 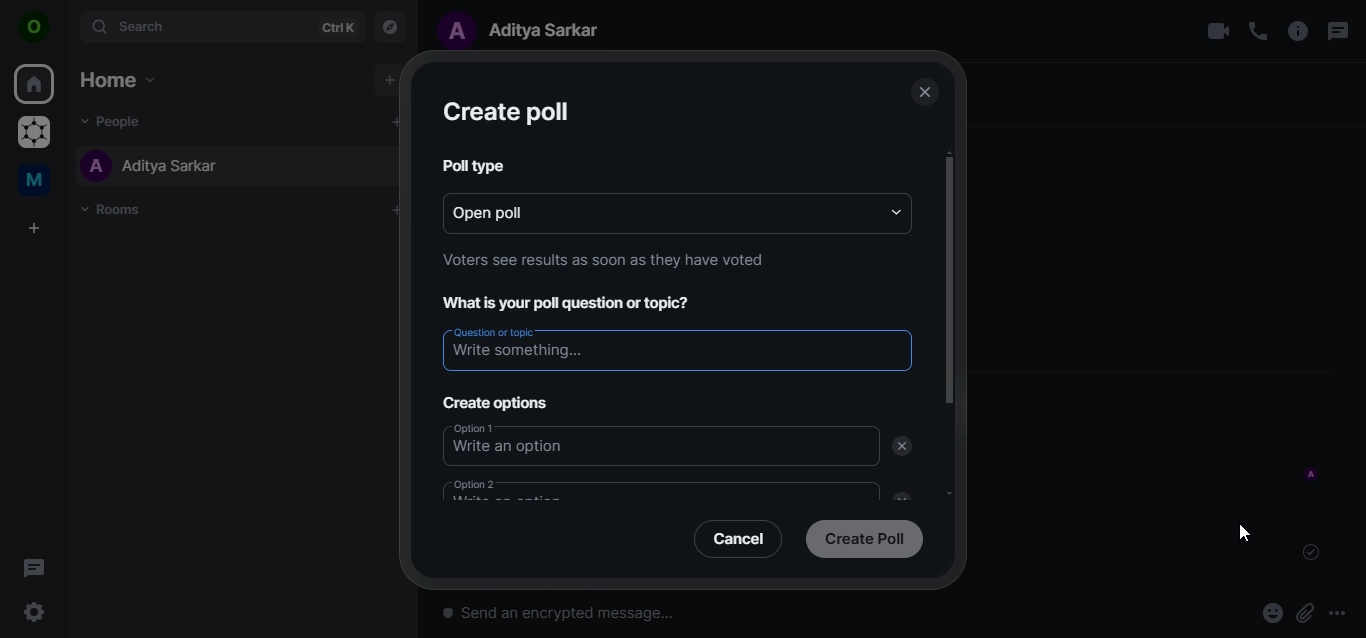 What do you see at coordinates (604, 259) in the screenshot?
I see `Voters see results as soon as they have voted` at bounding box center [604, 259].